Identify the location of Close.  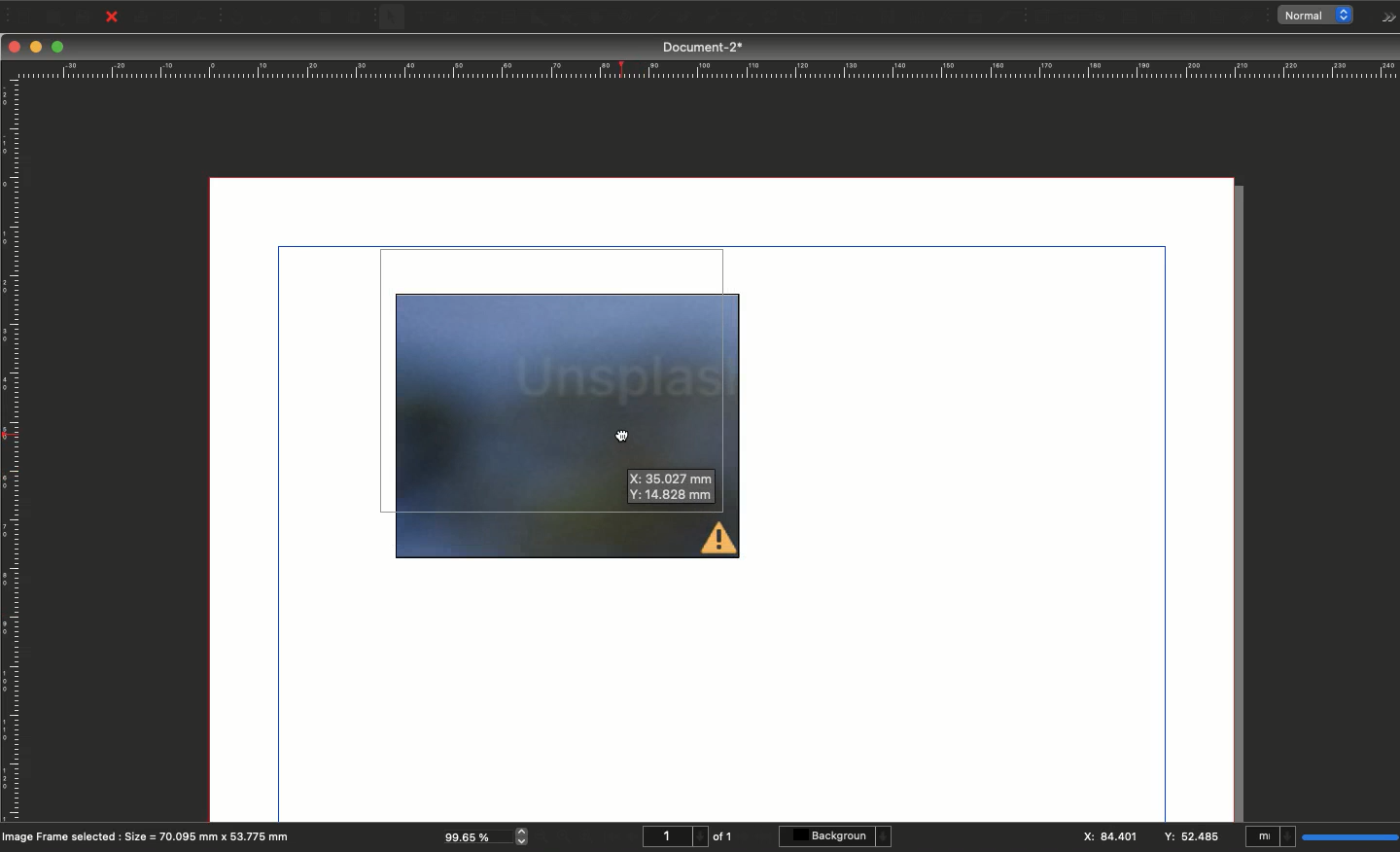
(15, 47).